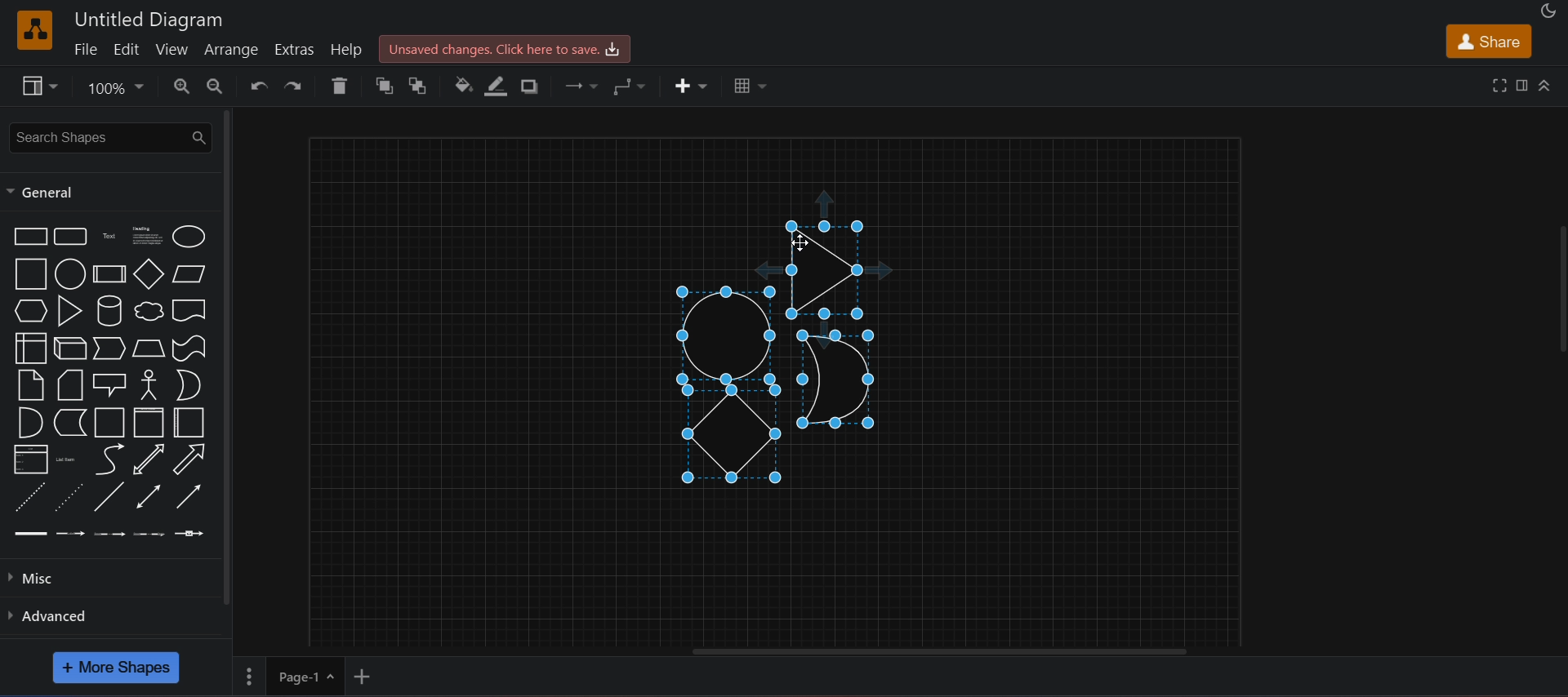 This screenshot has width=1568, height=697. What do you see at coordinates (146, 424) in the screenshot?
I see `vertical container` at bounding box center [146, 424].